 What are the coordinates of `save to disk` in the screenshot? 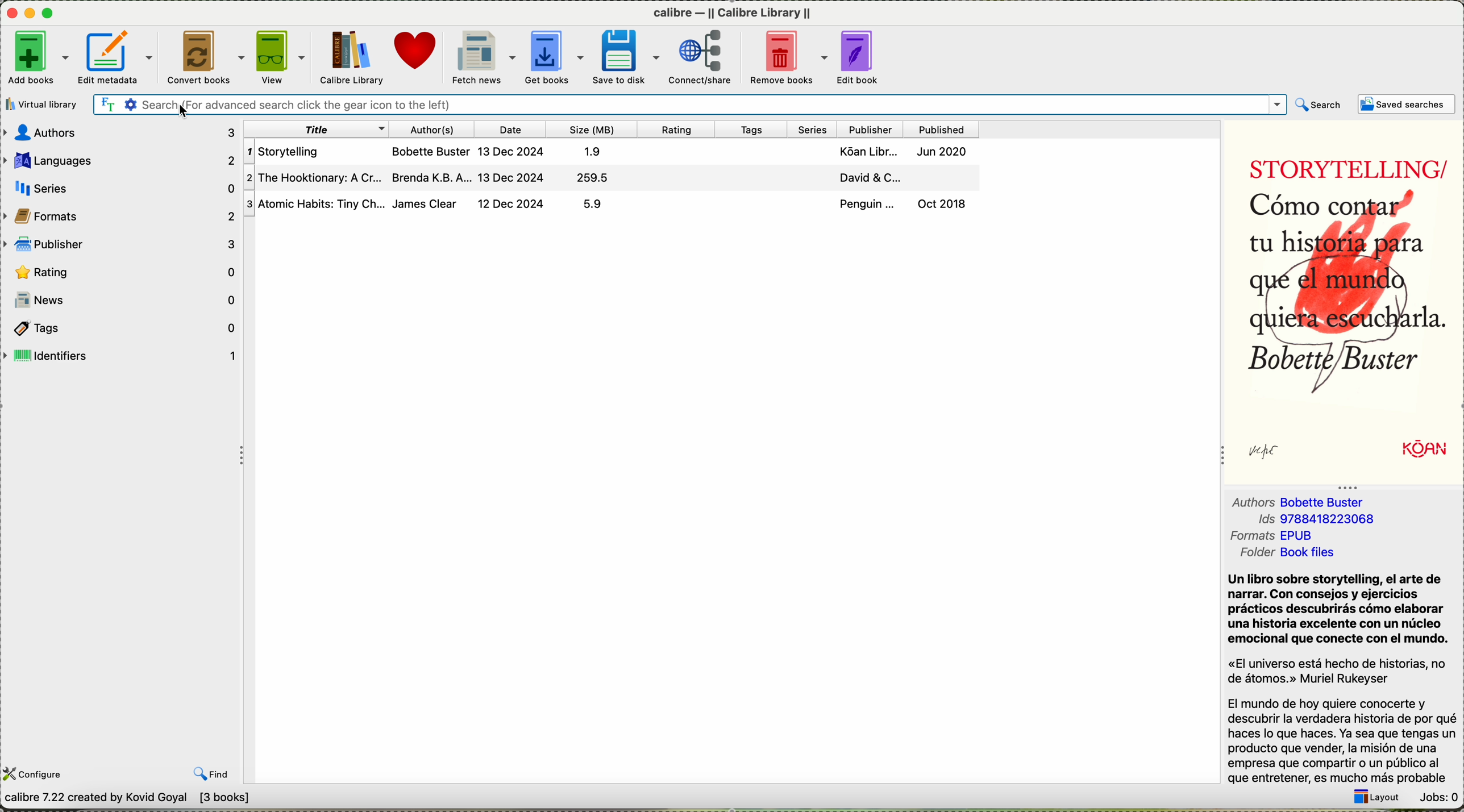 It's located at (626, 56).